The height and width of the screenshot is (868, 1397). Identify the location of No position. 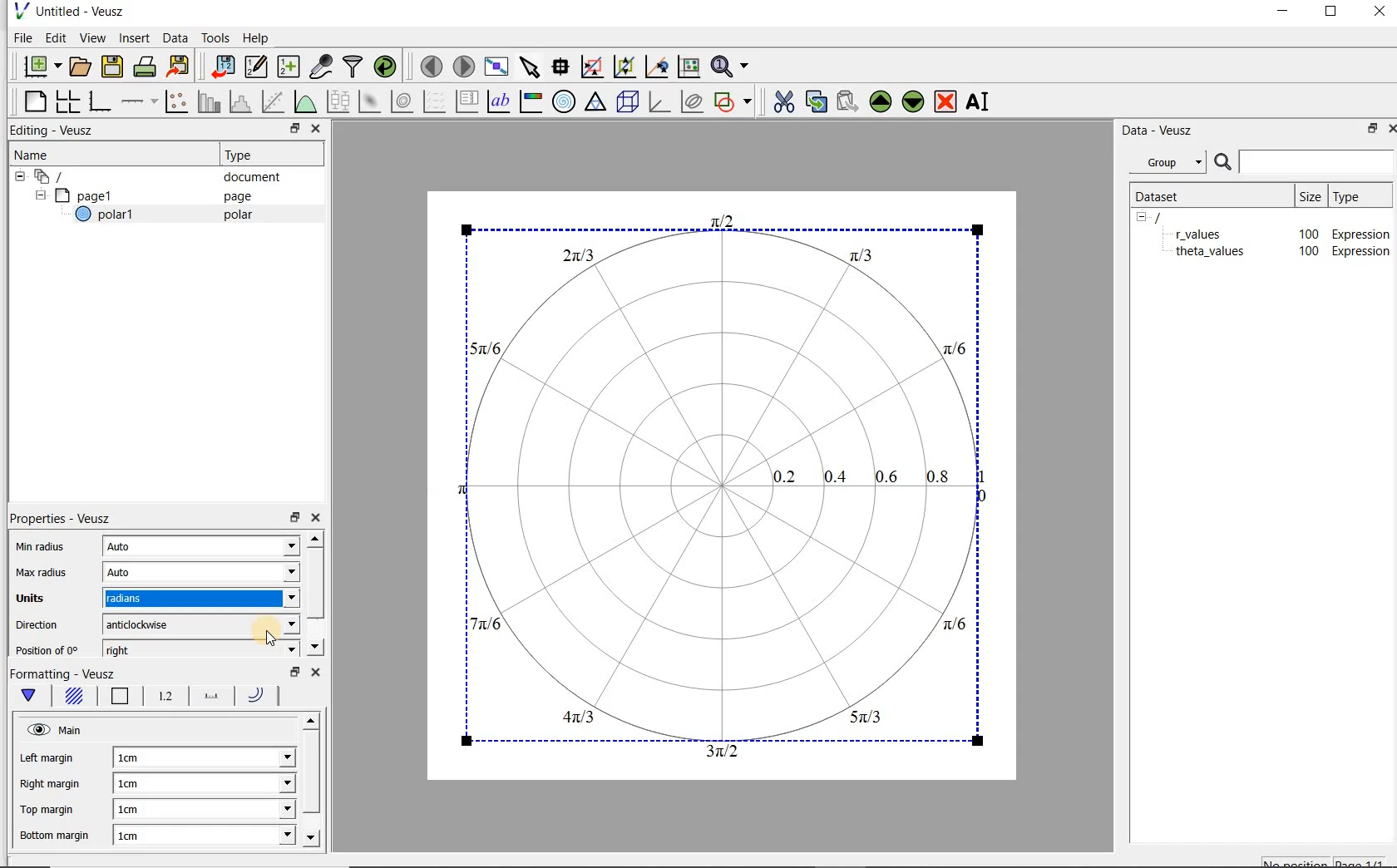
(1297, 861).